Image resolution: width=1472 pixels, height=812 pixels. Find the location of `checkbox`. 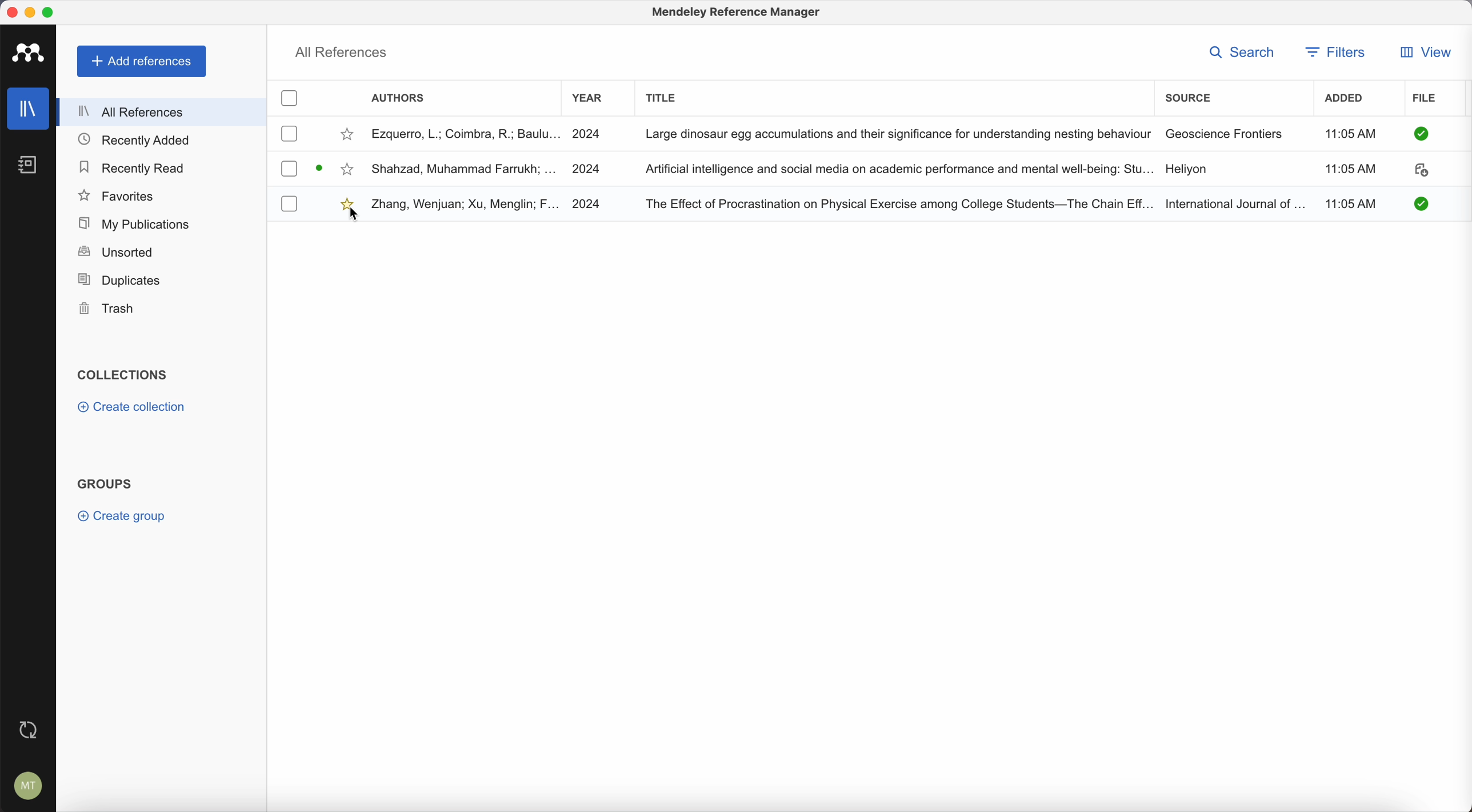

checkbox is located at coordinates (290, 169).